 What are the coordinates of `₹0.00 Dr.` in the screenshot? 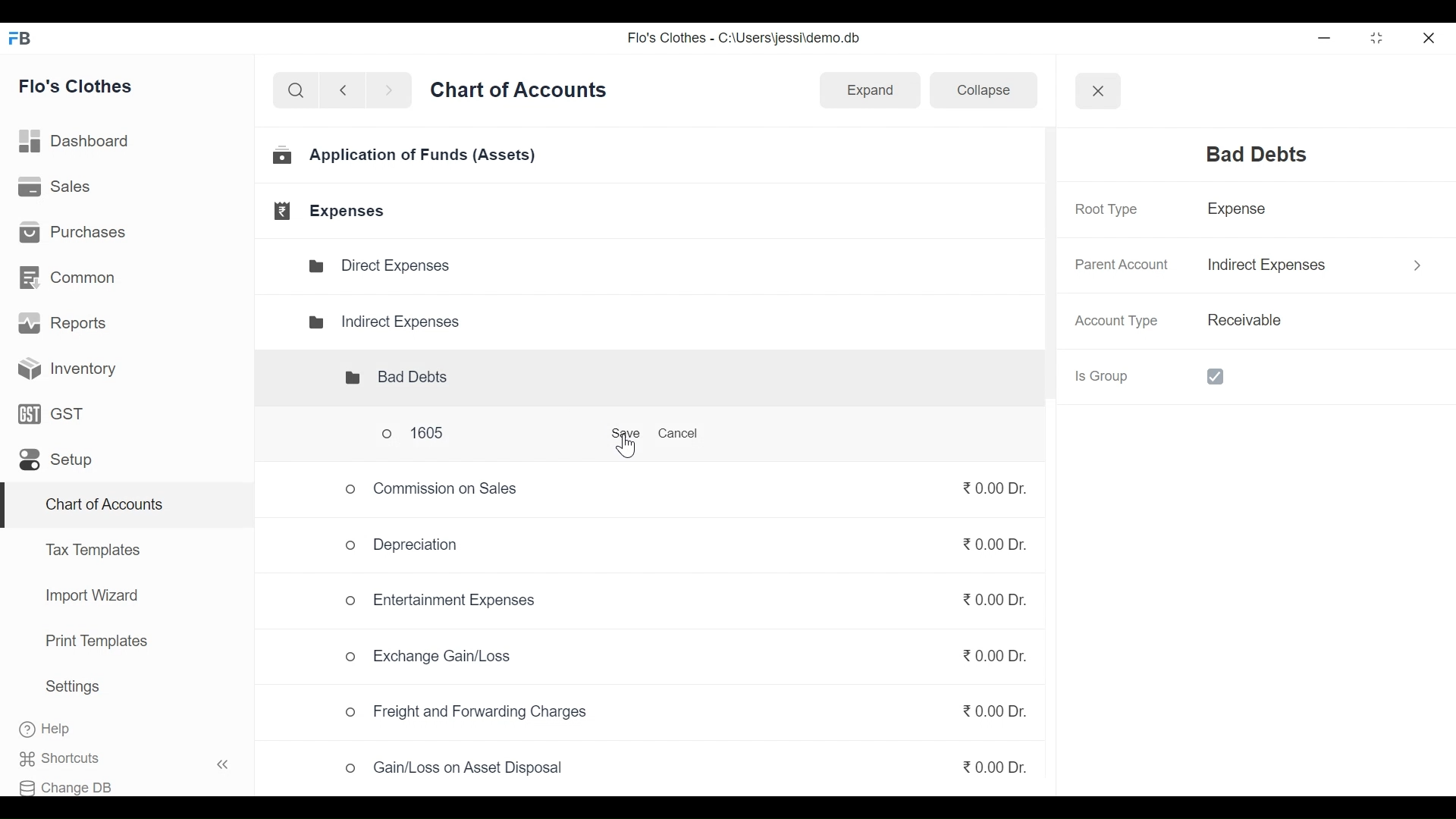 It's located at (995, 764).